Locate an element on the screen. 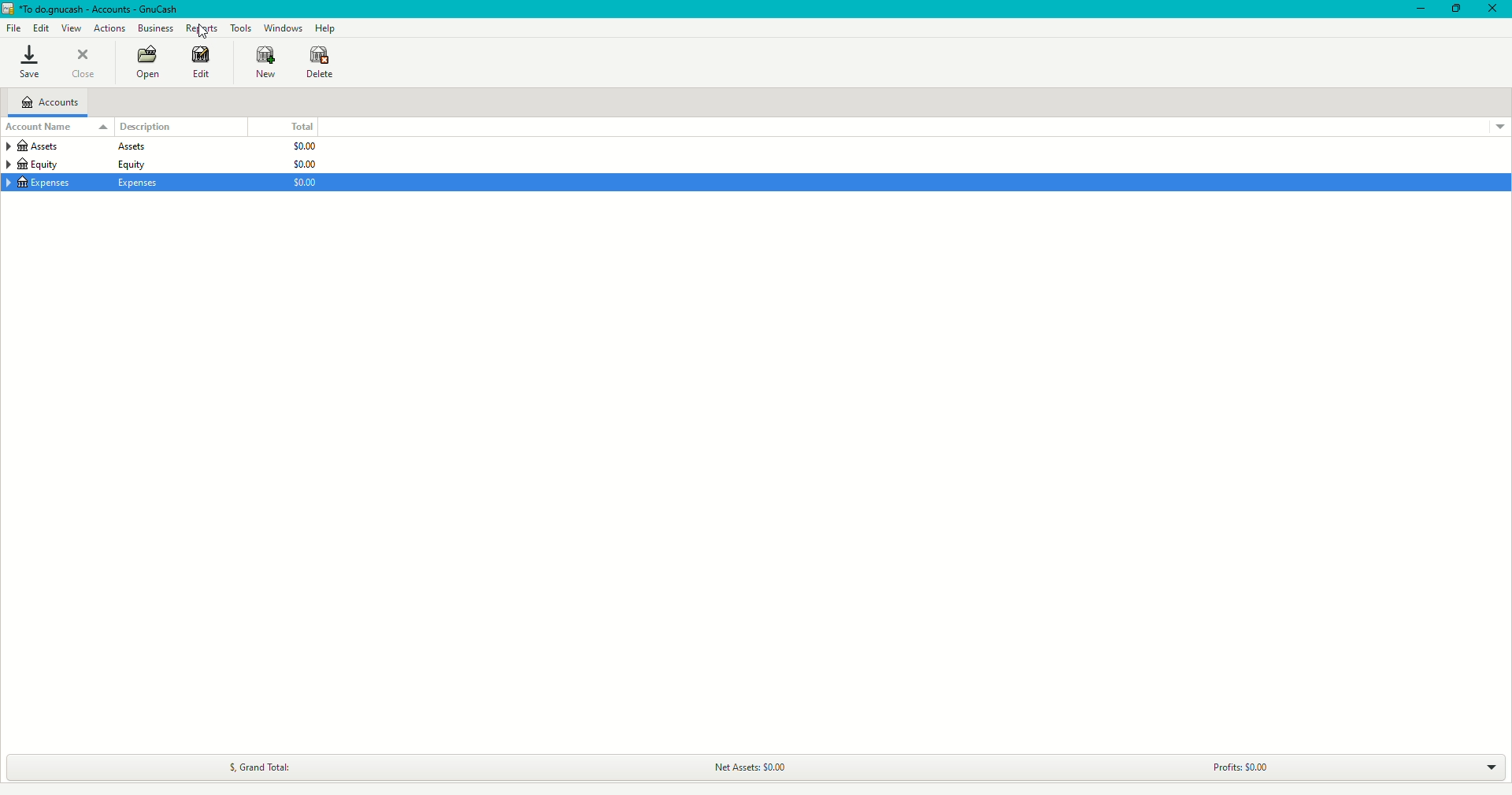 The width and height of the screenshot is (1512, 795). Total is located at coordinates (295, 126).